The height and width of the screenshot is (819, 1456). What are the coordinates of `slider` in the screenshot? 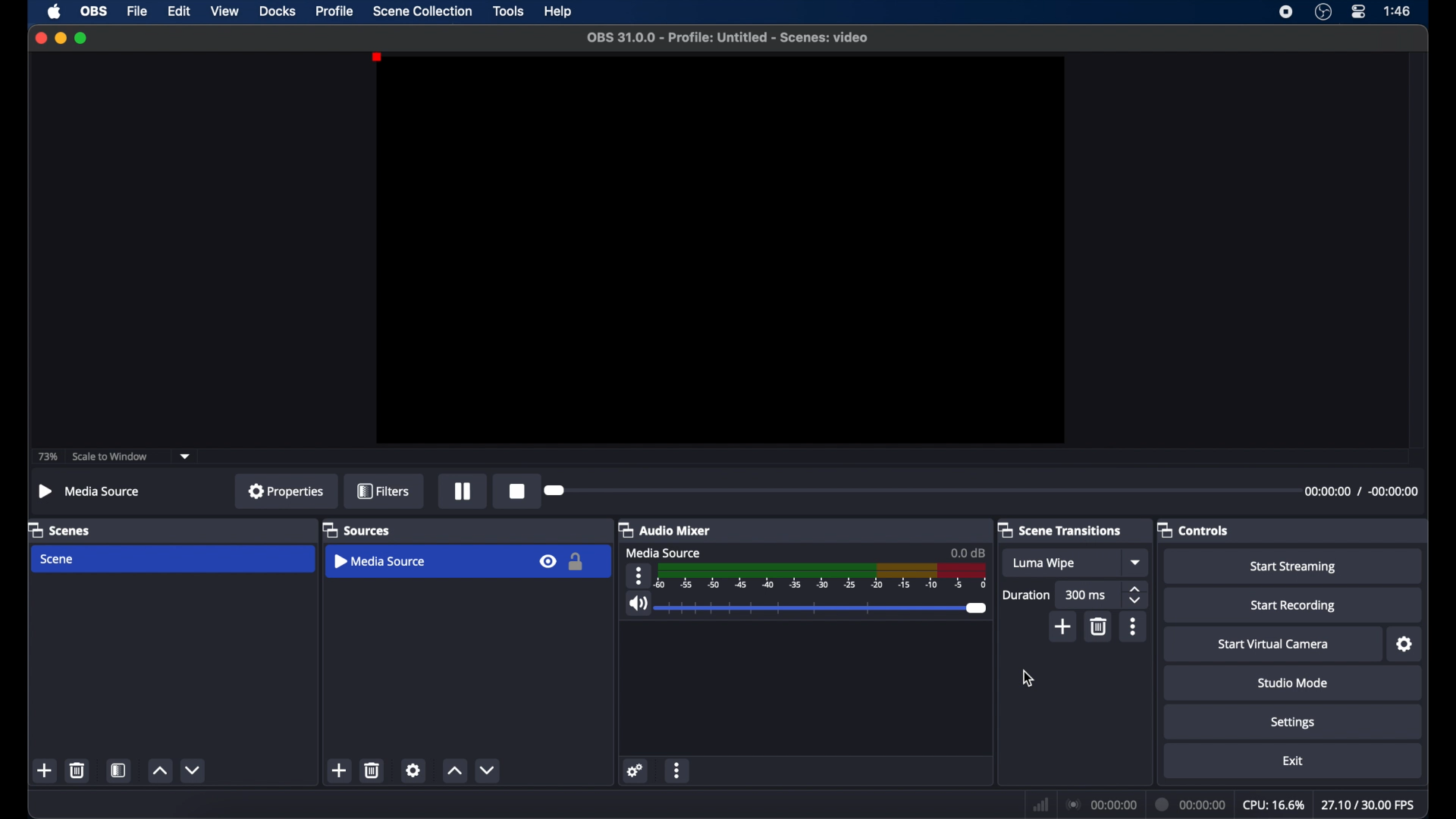 It's located at (824, 608).